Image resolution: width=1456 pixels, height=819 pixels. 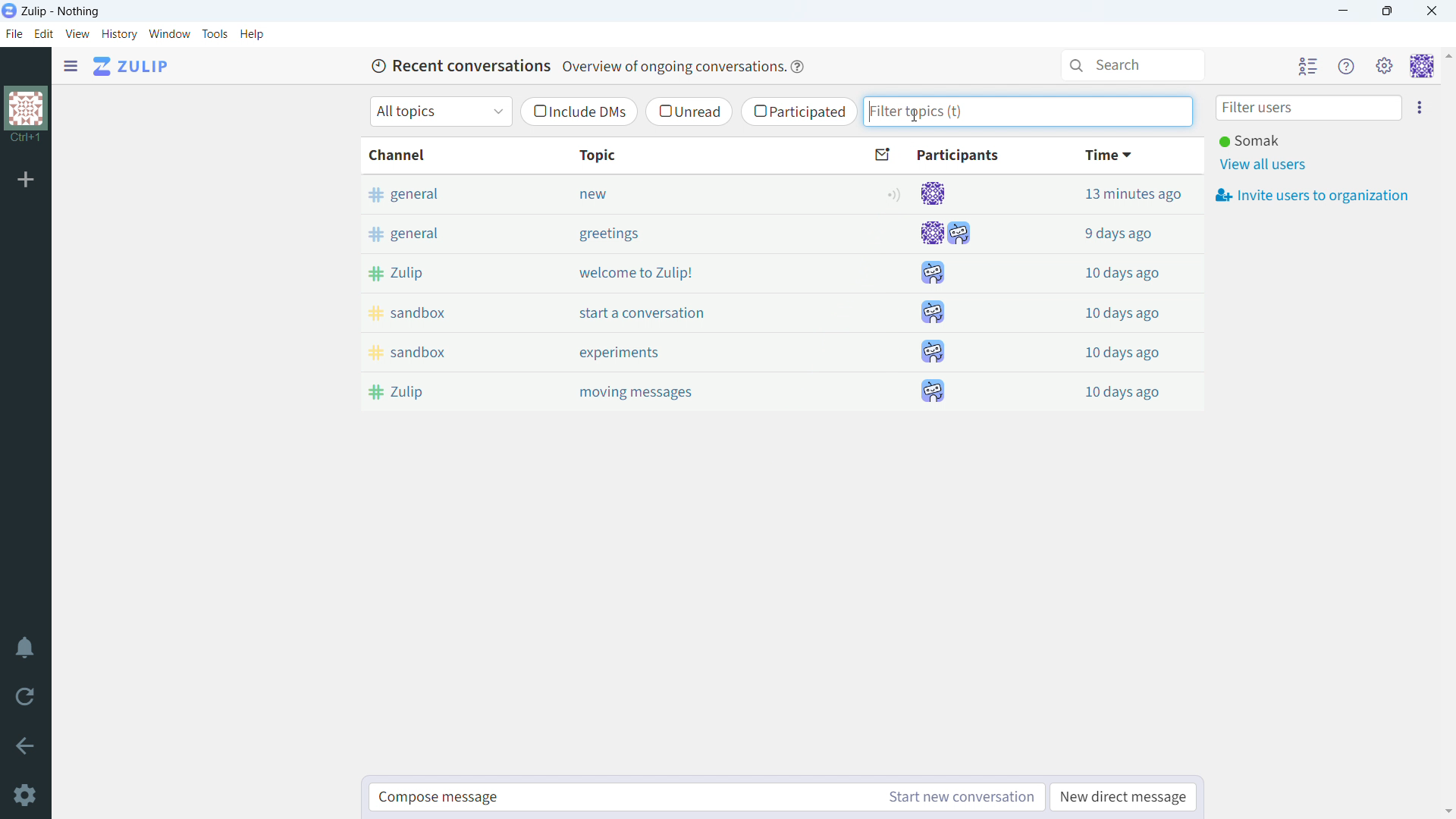 I want to click on personal menu, so click(x=1421, y=67).